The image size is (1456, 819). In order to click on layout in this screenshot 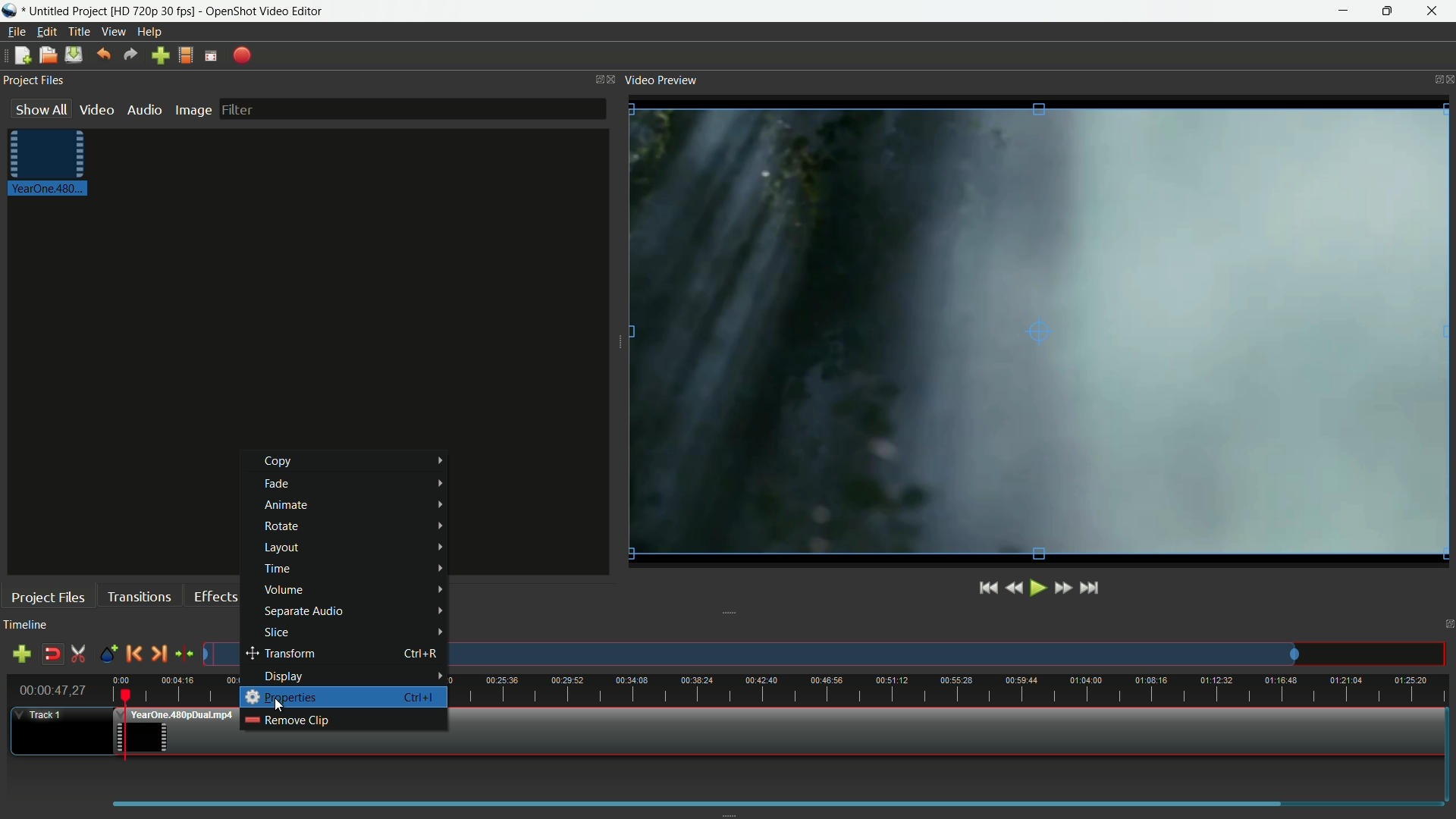, I will do `click(353, 548)`.